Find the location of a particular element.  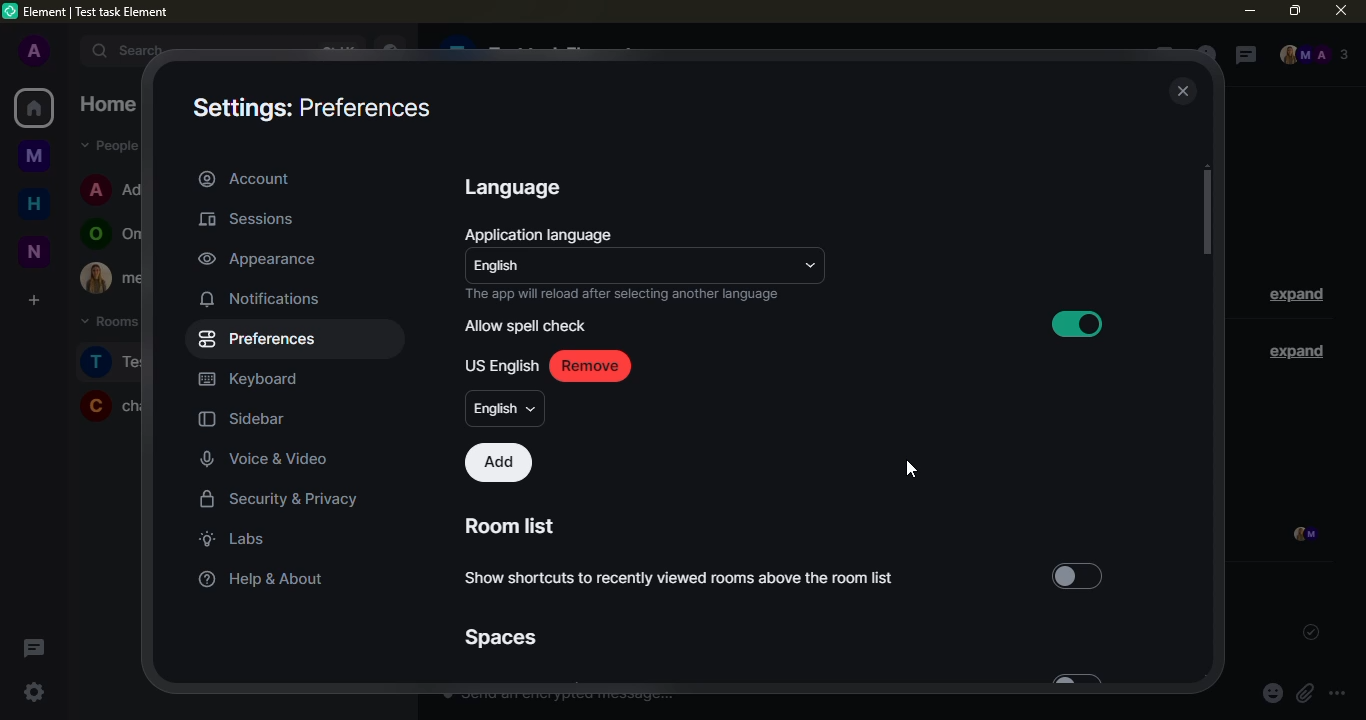

room list is located at coordinates (513, 527).